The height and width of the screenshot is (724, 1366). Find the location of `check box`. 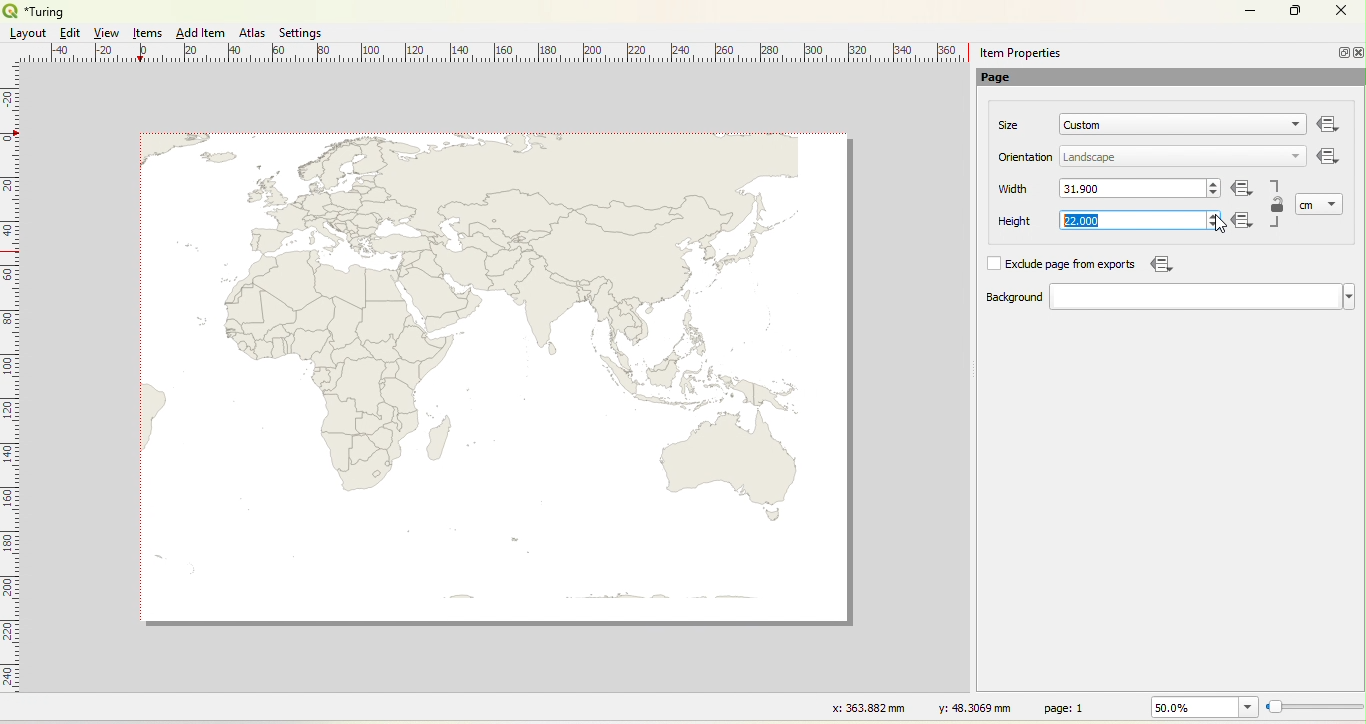

check box is located at coordinates (993, 264).